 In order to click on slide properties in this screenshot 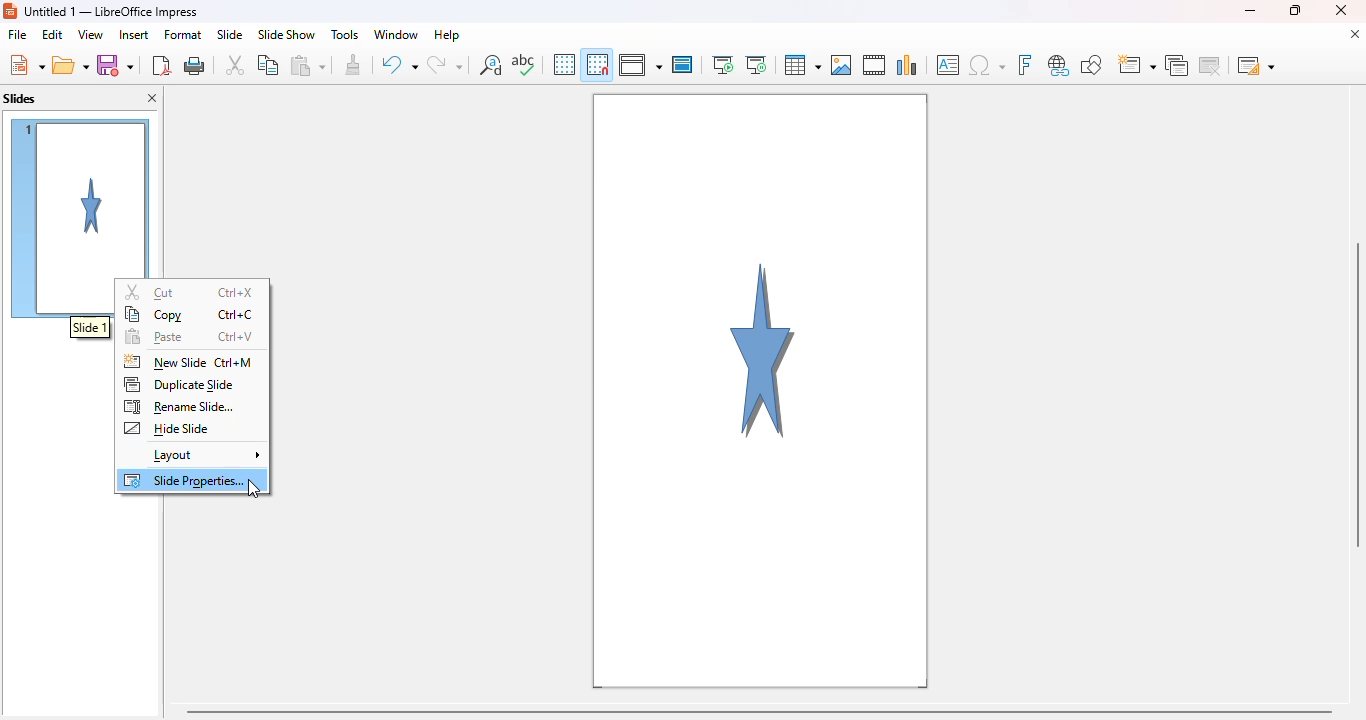, I will do `click(184, 480)`.